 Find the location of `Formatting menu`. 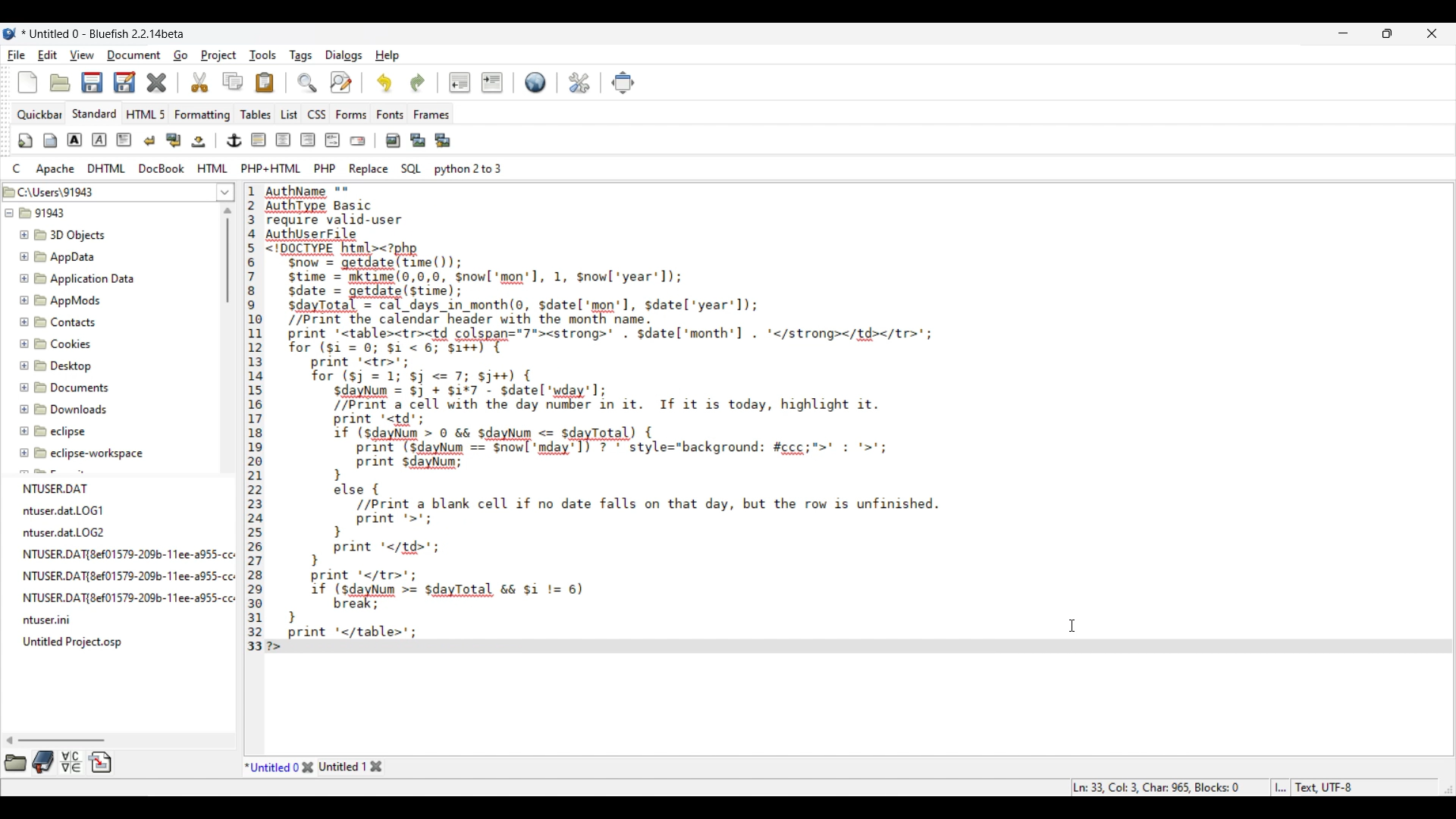

Formatting menu is located at coordinates (202, 115).